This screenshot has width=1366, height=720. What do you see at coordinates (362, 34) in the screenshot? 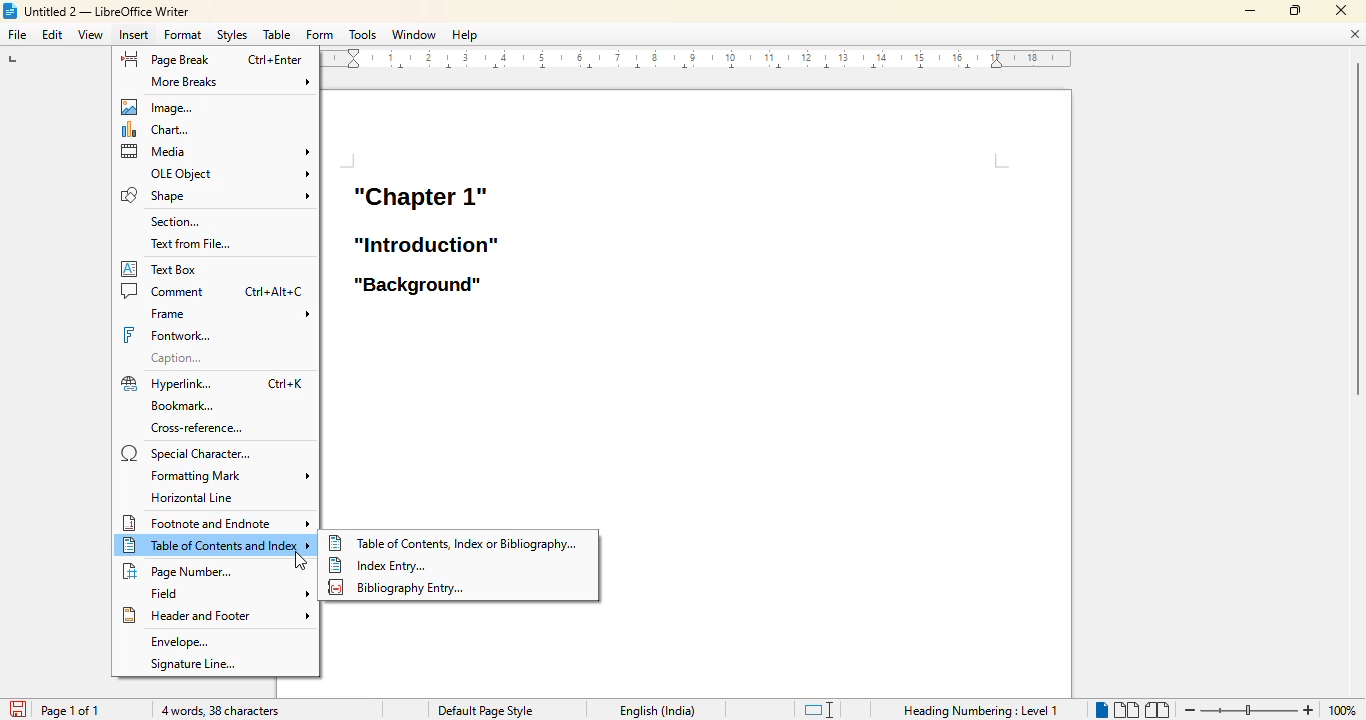
I see `tools` at bounding box center [362, 34].